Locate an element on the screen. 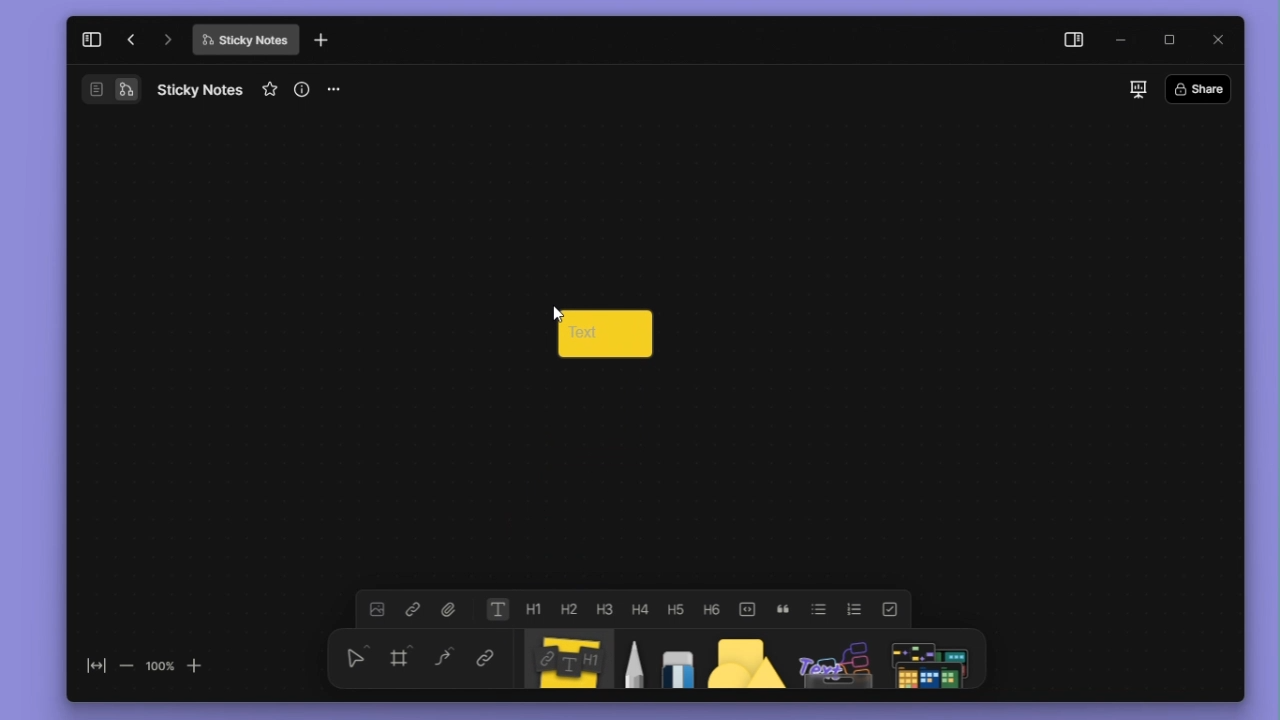  view info is located at coordinates (301, 89).